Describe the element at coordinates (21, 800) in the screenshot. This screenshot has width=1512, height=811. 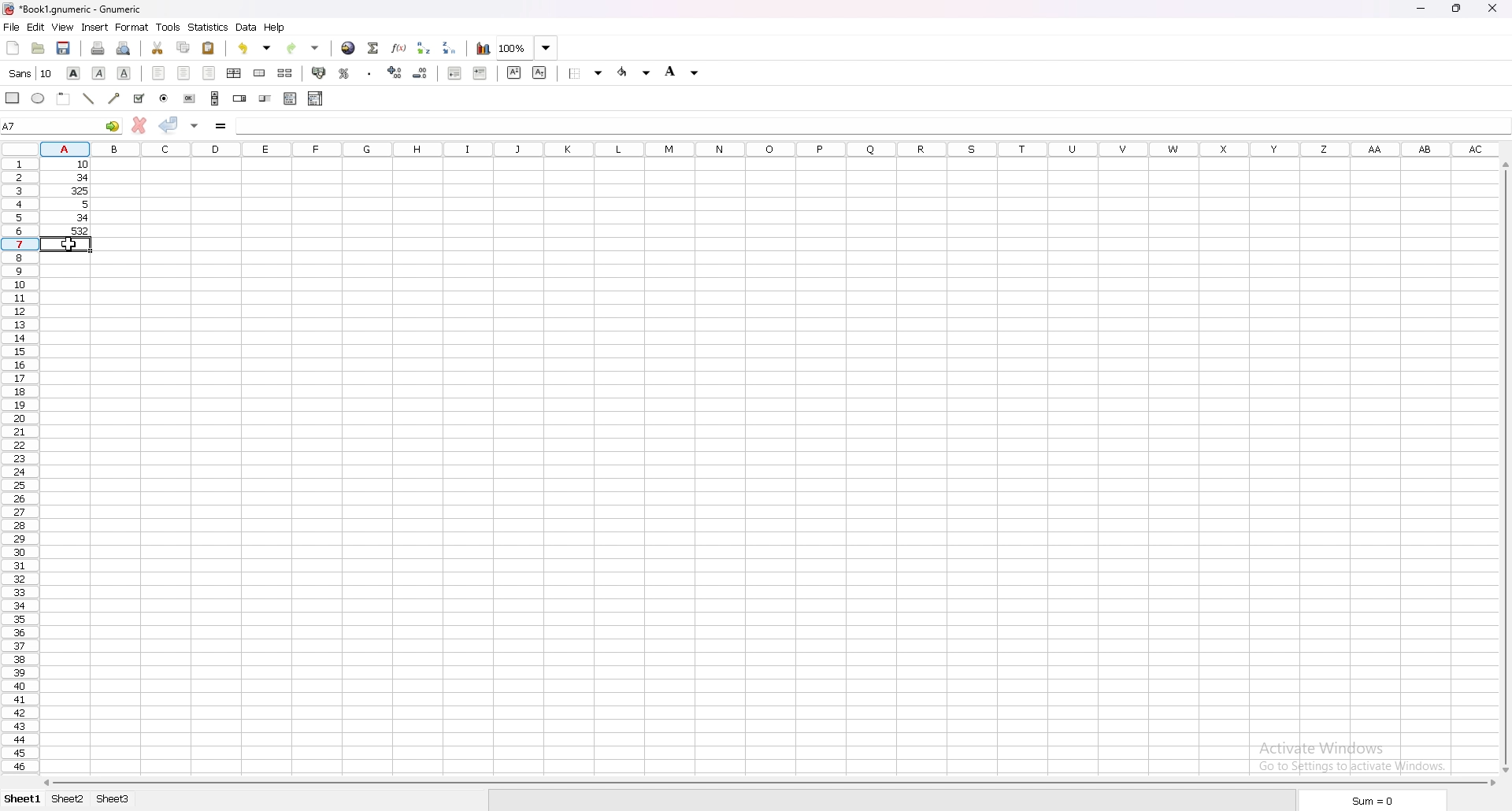
I see `sheet 1` at that location.